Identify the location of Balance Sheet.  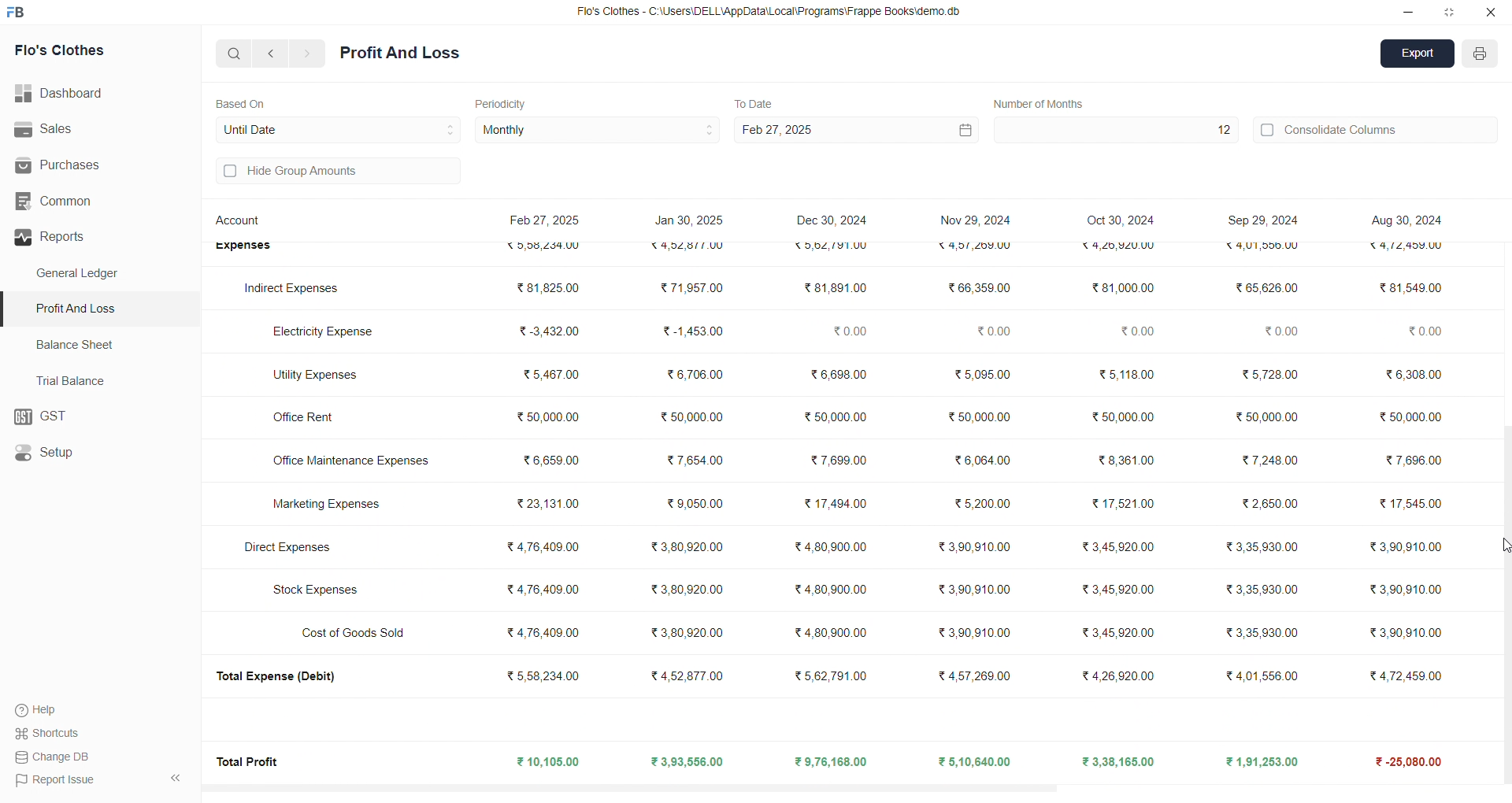
(77, 343).